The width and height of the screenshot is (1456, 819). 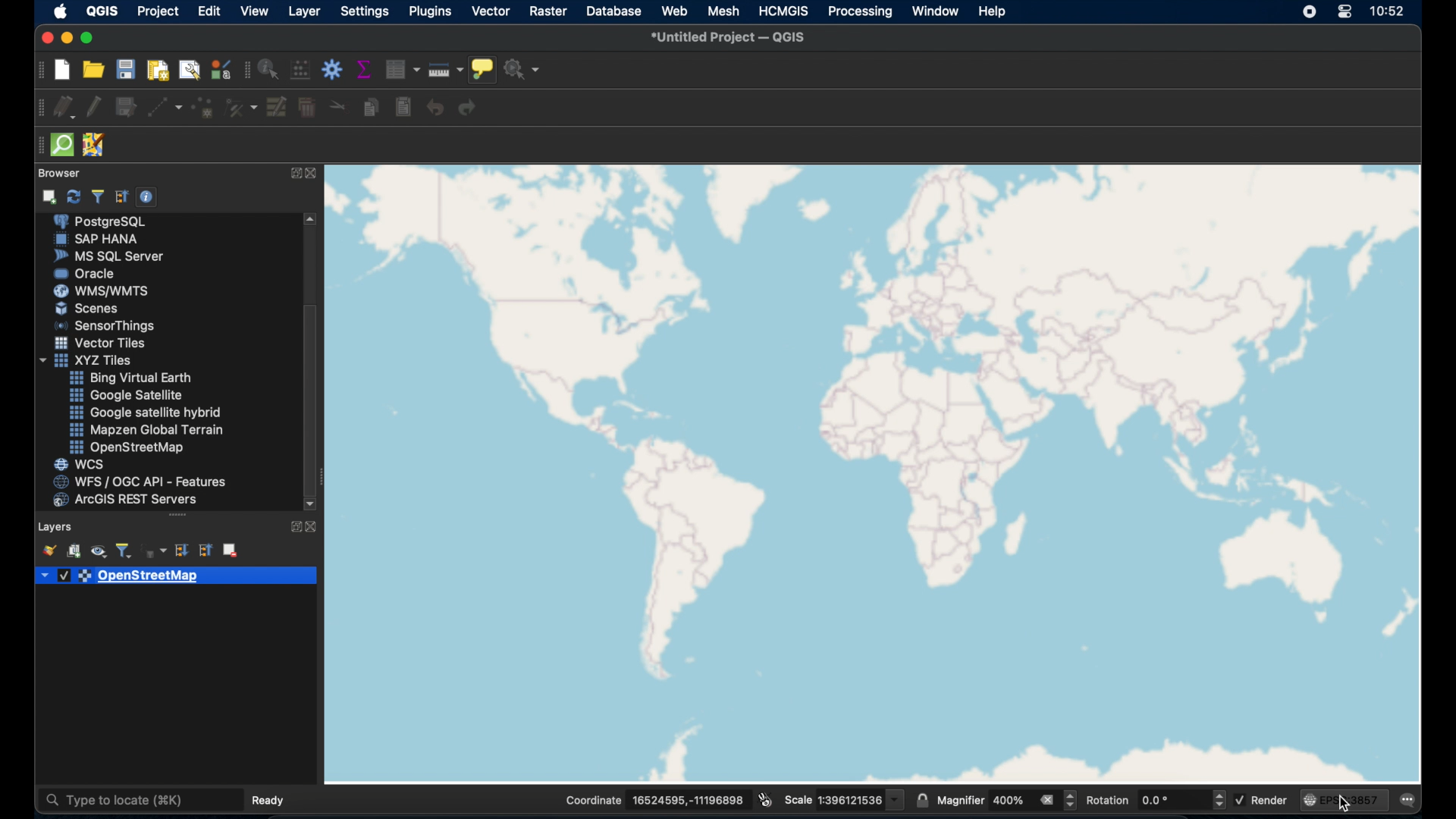 What do you see at coordinates (64, 105) in the screenshot?
I see `current edits` at bounding box center [64, 105].